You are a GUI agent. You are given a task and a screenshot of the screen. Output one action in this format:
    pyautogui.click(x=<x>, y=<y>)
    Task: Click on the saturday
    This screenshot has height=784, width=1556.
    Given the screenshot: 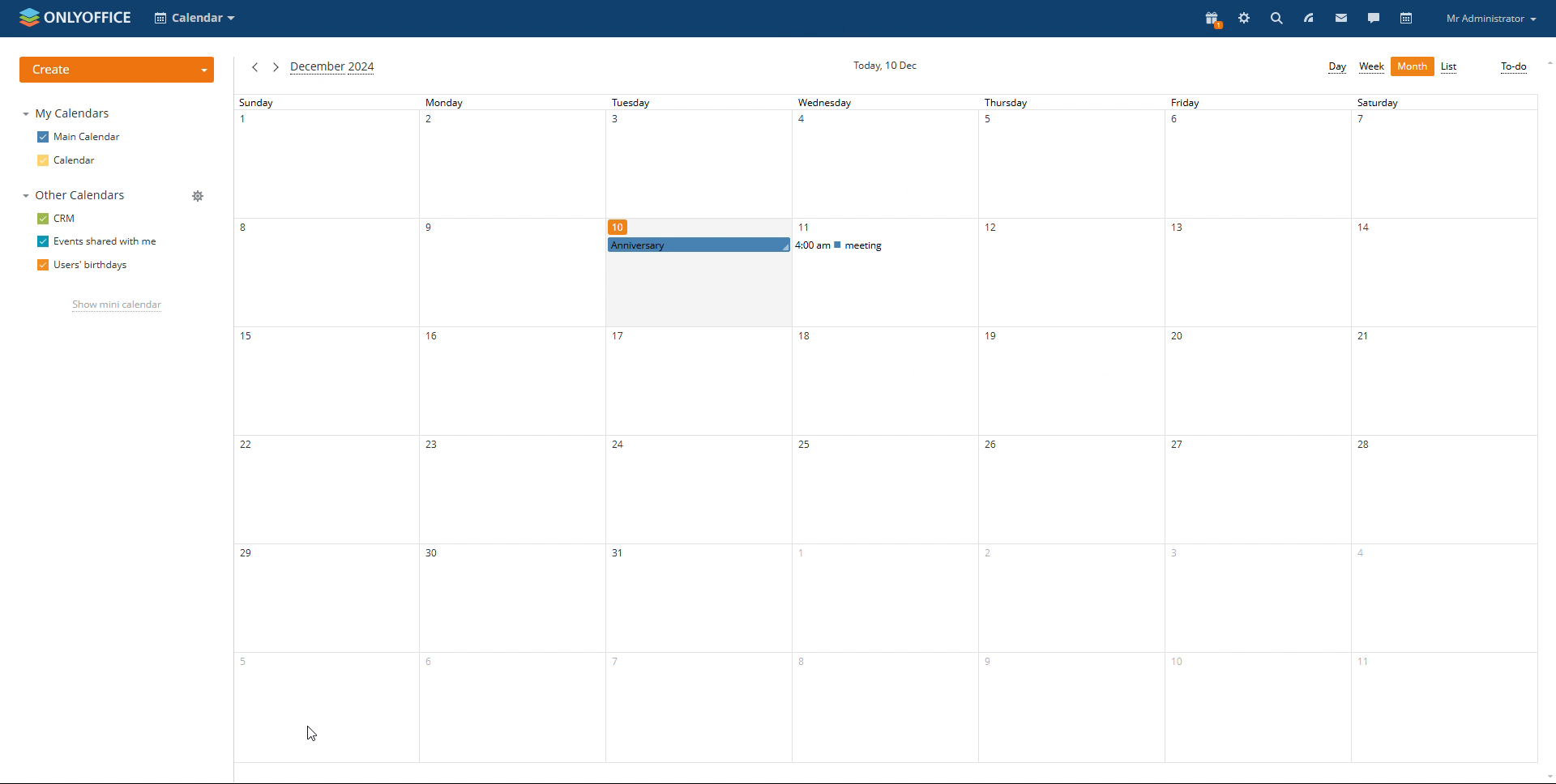 What is the action you would take?
    pyautogui.click(x=1448, y=437)
    